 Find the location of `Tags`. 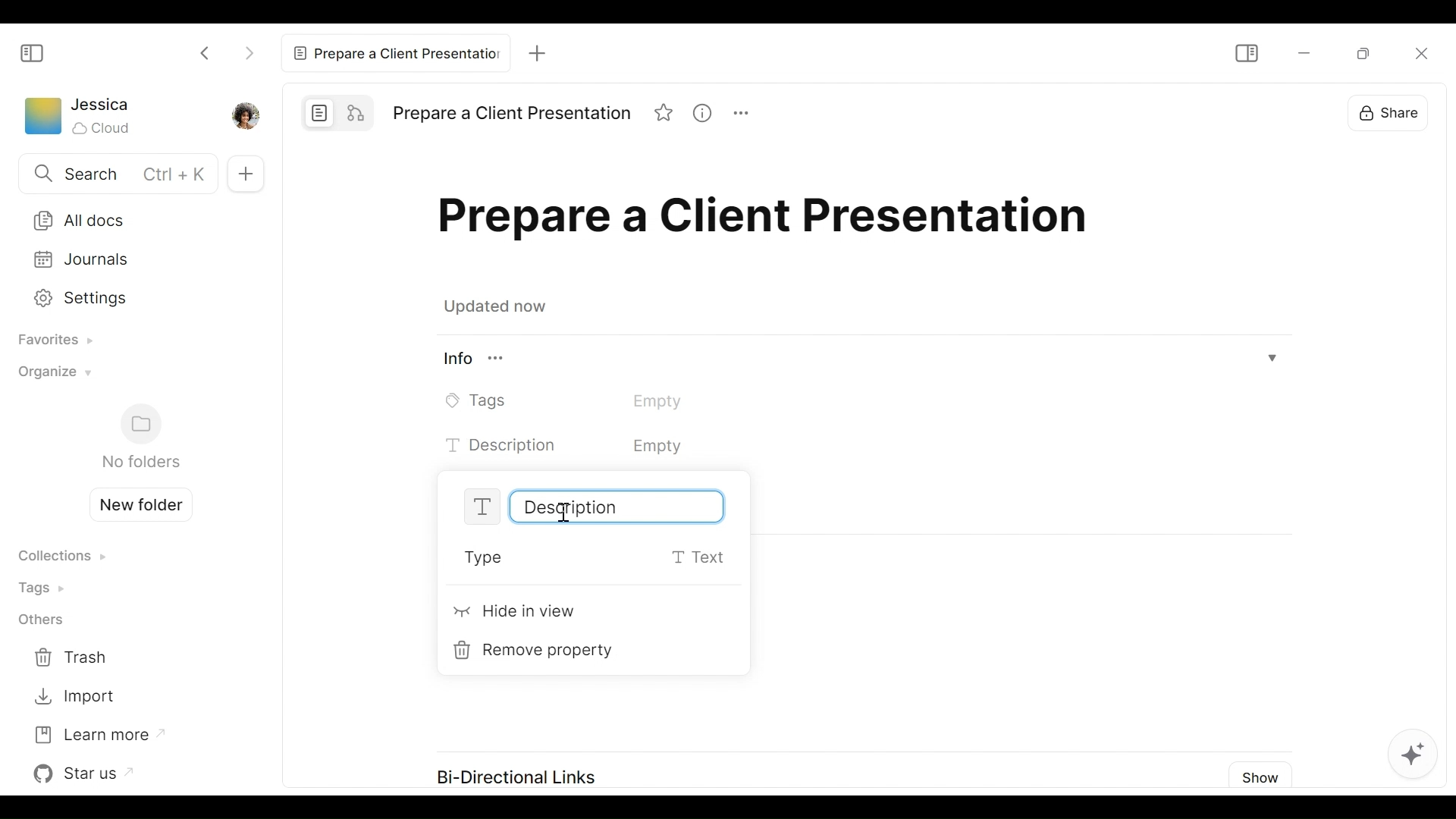

Tags is located at coordinates (585, 400).